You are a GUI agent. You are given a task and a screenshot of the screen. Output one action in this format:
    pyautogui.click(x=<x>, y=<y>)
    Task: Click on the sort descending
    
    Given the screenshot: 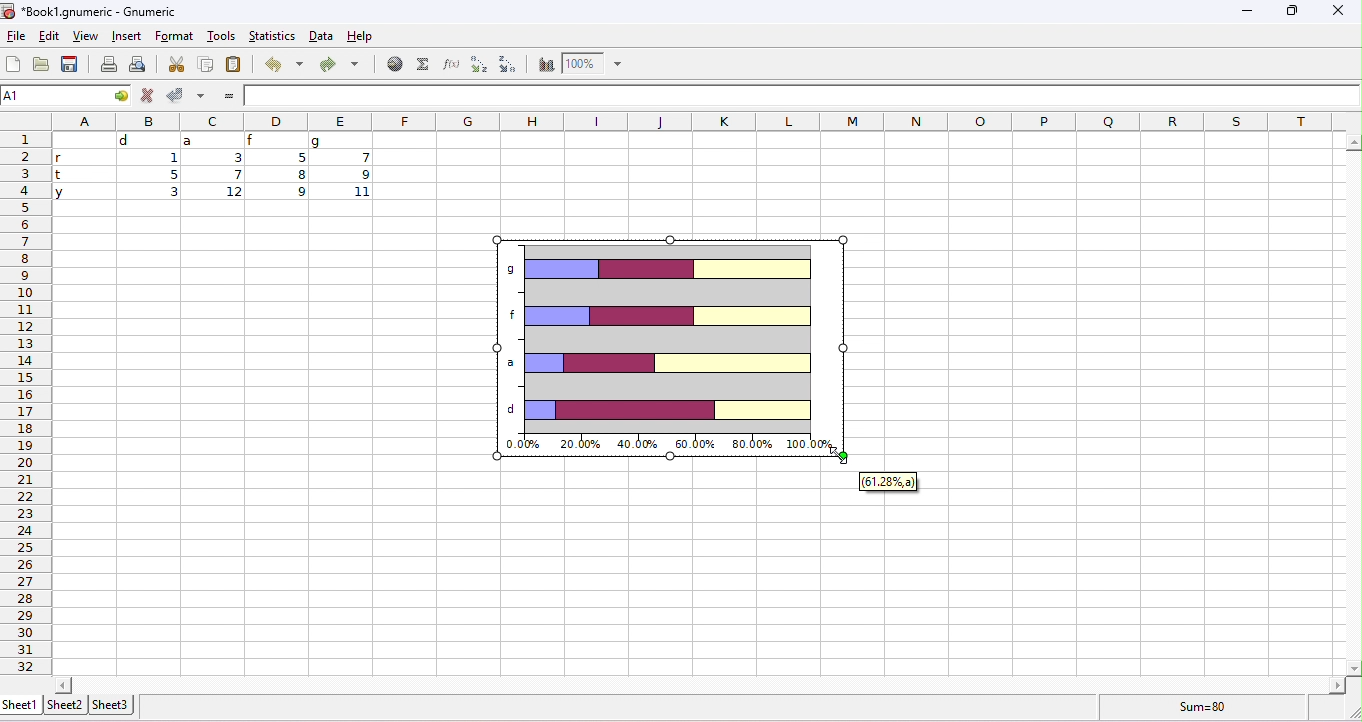 What is the action you would take?
    pyautogui.click(x=509, y=63)
    